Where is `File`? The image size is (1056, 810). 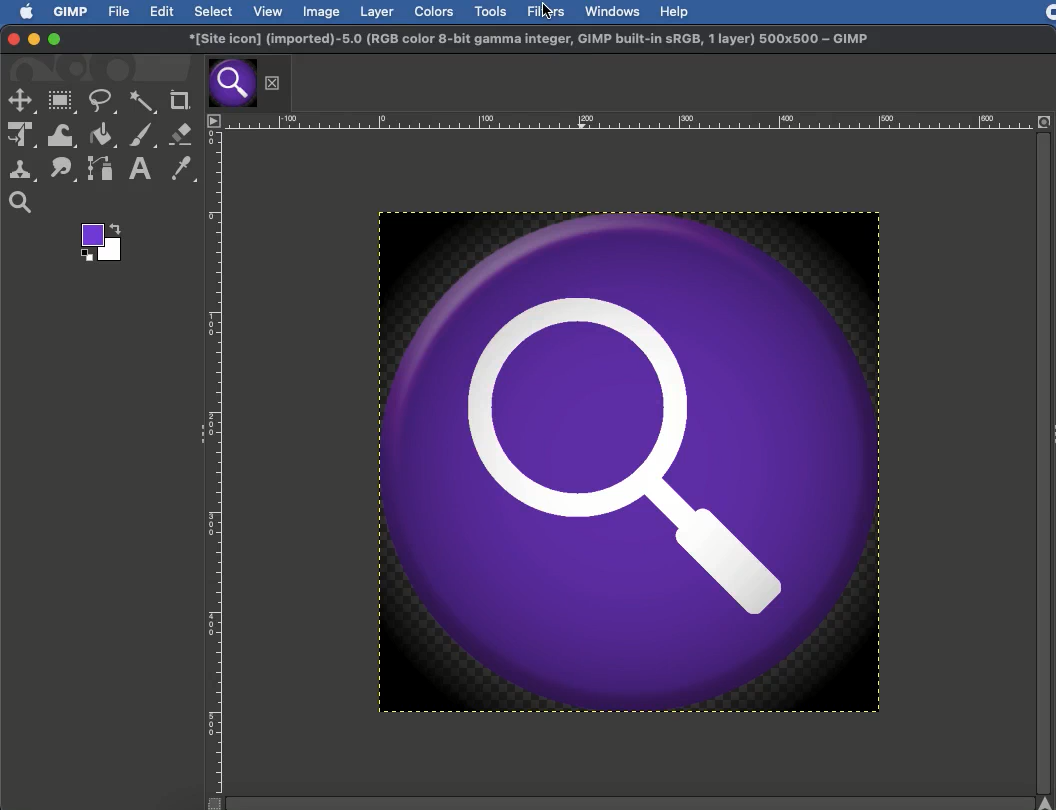 File is located at coordinates (120, 12).